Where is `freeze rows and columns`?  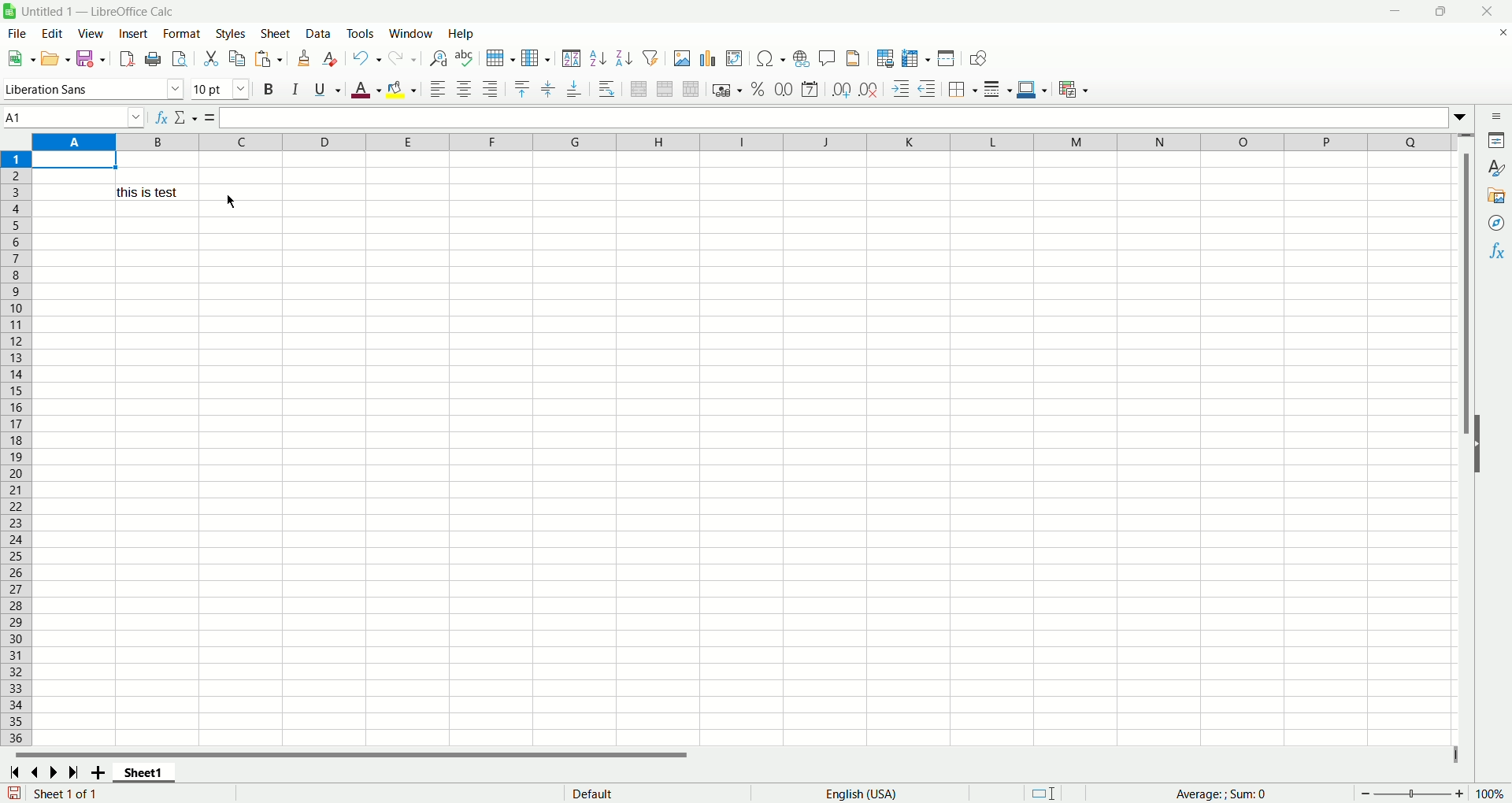 freeze rows and columns is located at coordinates (914, 57).